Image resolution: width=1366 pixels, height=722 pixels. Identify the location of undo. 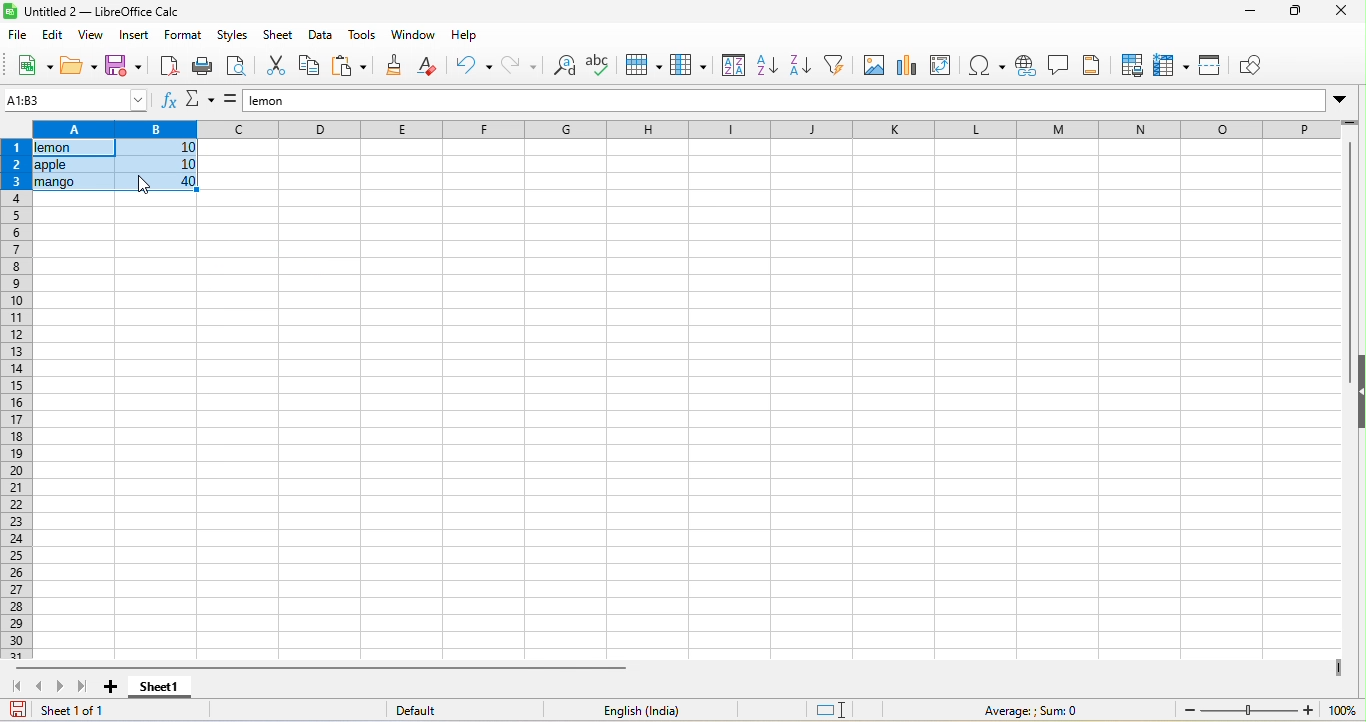
(470, 67).